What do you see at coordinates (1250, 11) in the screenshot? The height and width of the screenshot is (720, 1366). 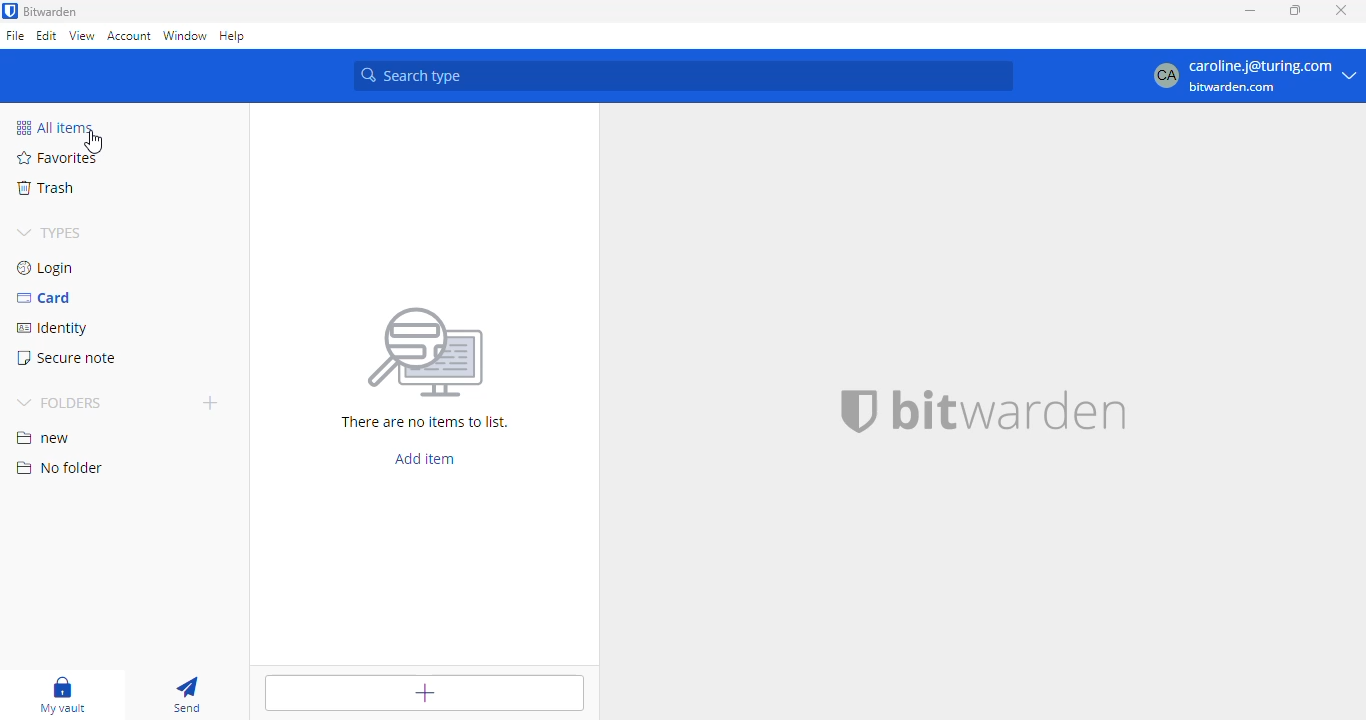 I see `minimize` at bounding box center [1250, 11].